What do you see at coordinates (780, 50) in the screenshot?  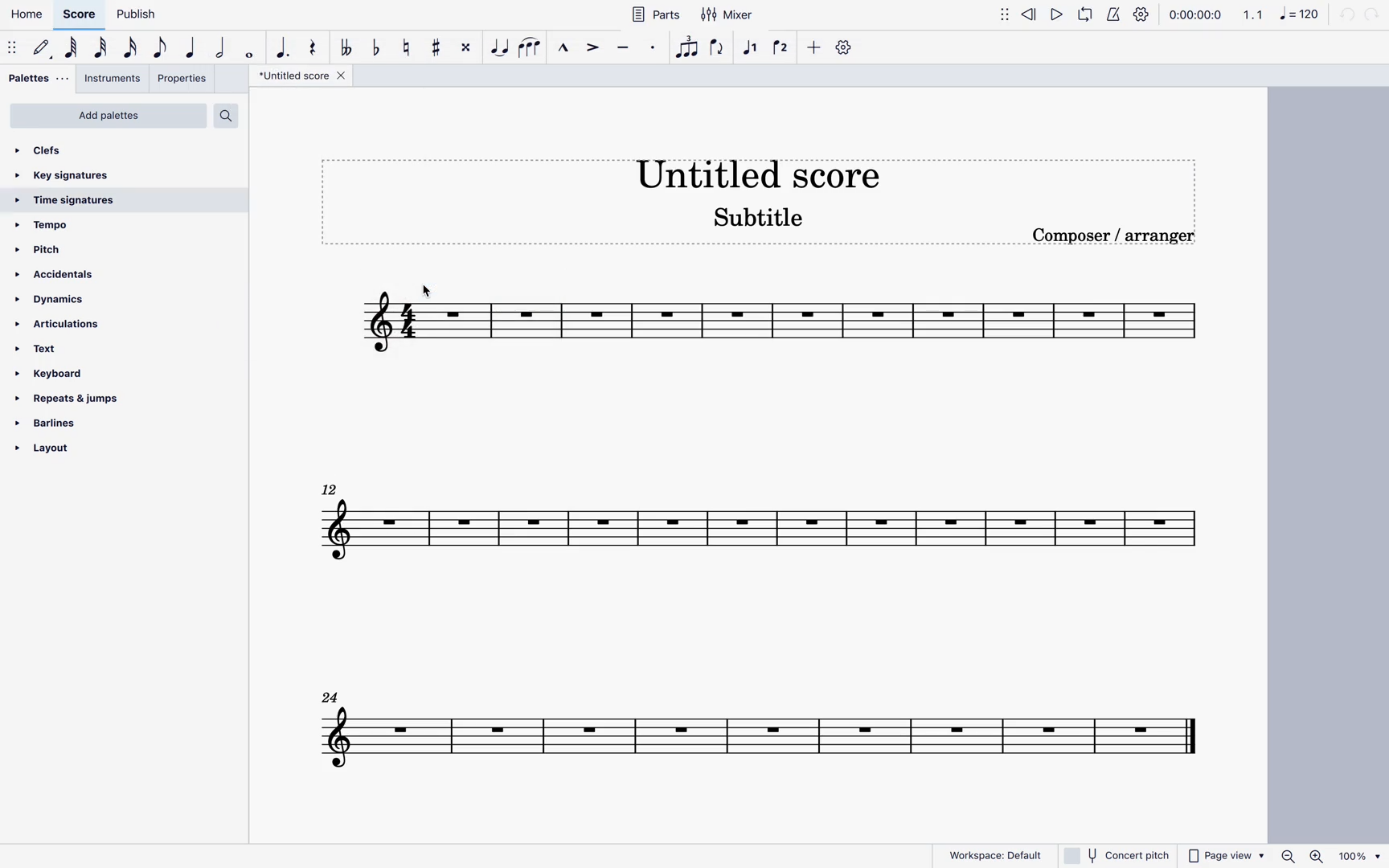 I see `voice 2` at bounding box center [780, 50].